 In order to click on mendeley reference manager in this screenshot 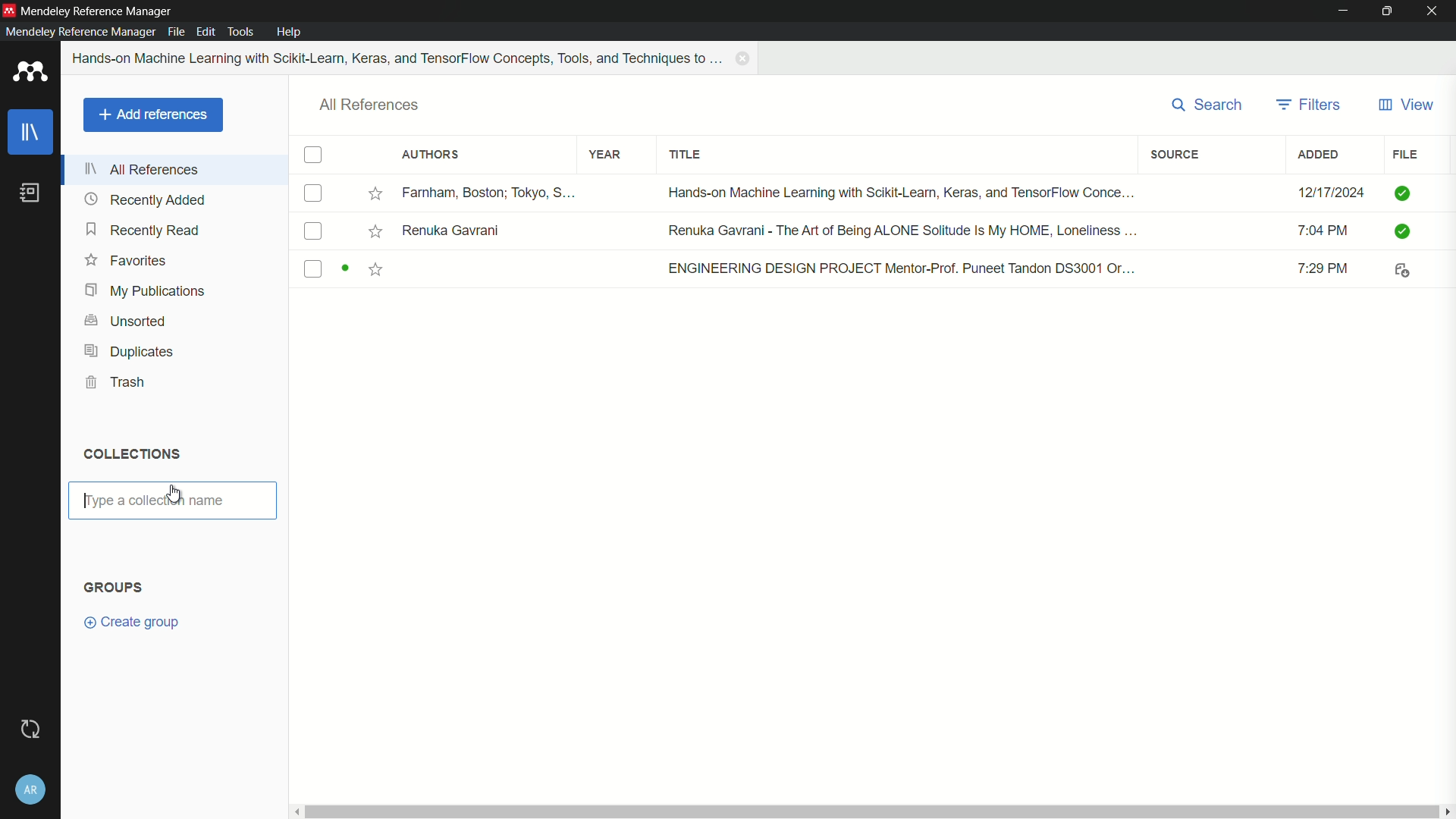, I will do `click(80, 31)`.